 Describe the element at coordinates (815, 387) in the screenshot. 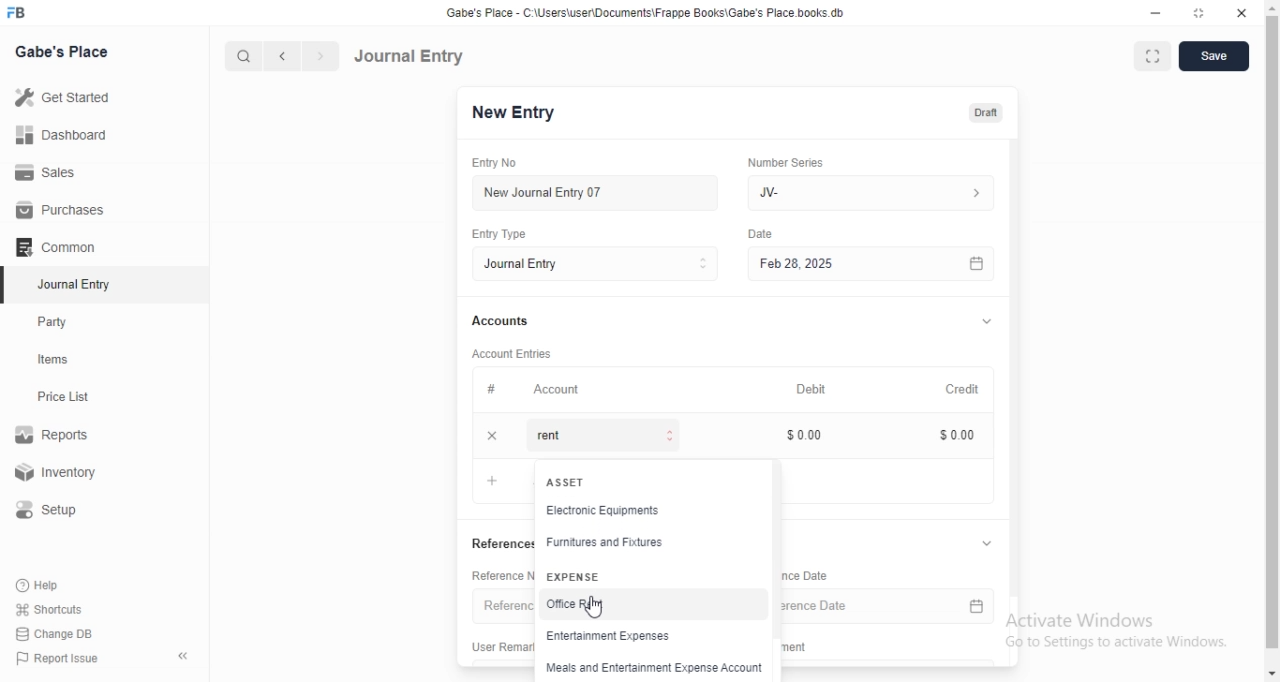

I see `Debit` at that location.